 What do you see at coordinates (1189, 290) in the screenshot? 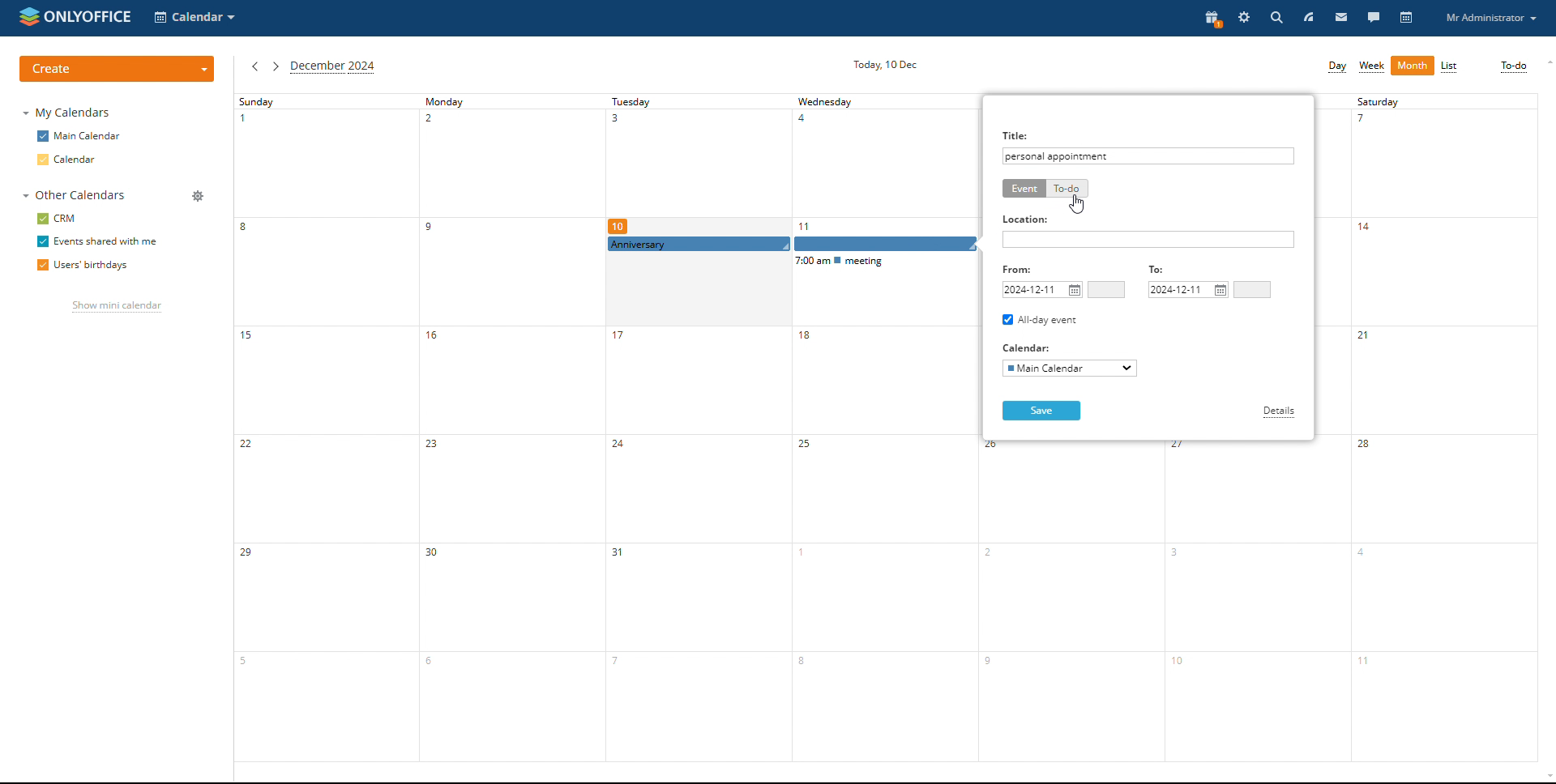
I see `end date` at bounding box center [1189, 290].